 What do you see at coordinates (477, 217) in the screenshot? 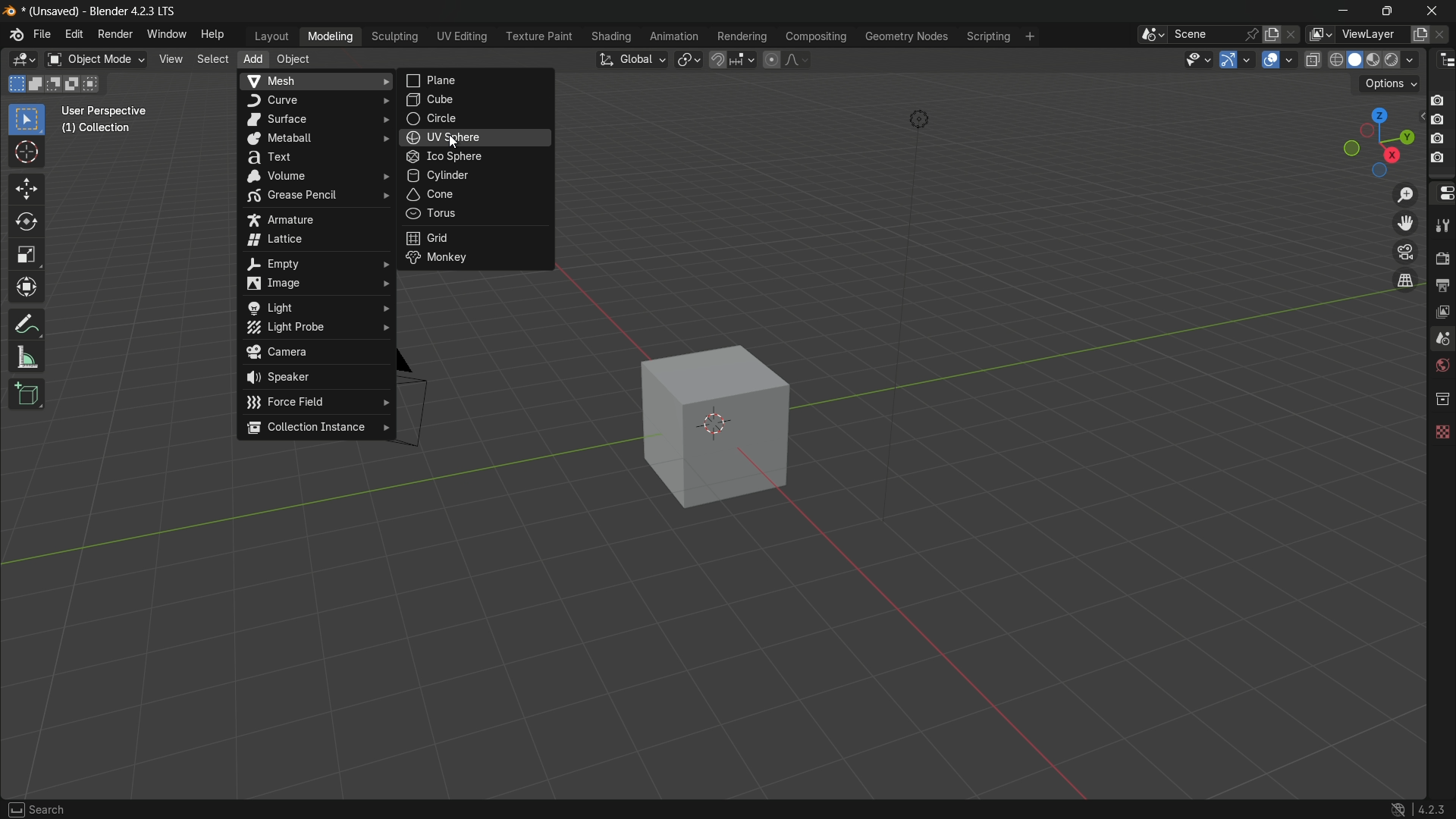
I see `torus` at bounding box center [477, 217].